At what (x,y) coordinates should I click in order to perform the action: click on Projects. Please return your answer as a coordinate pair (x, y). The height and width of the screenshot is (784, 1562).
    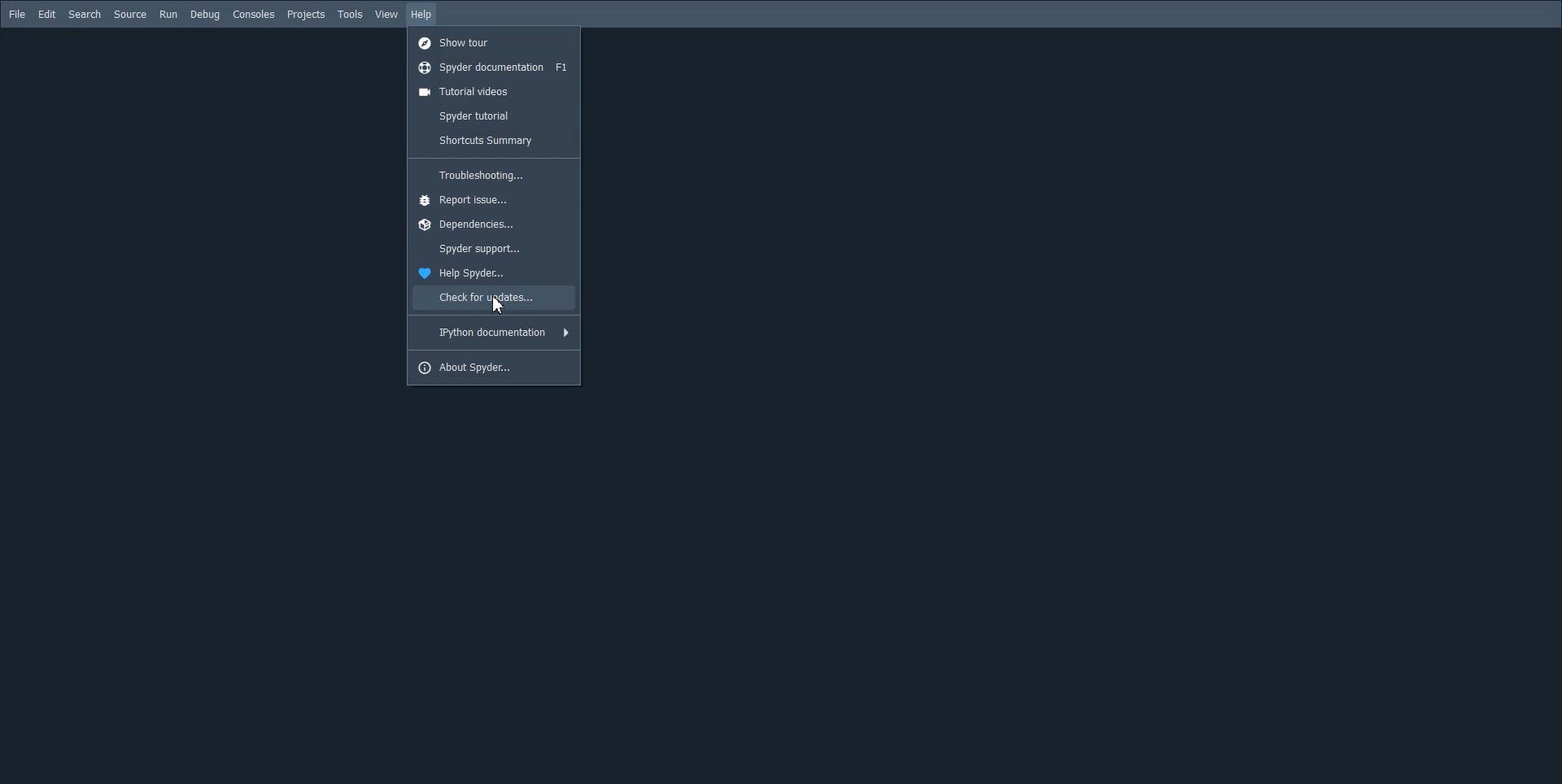
    Looking at the image, I should click on (306, 15).